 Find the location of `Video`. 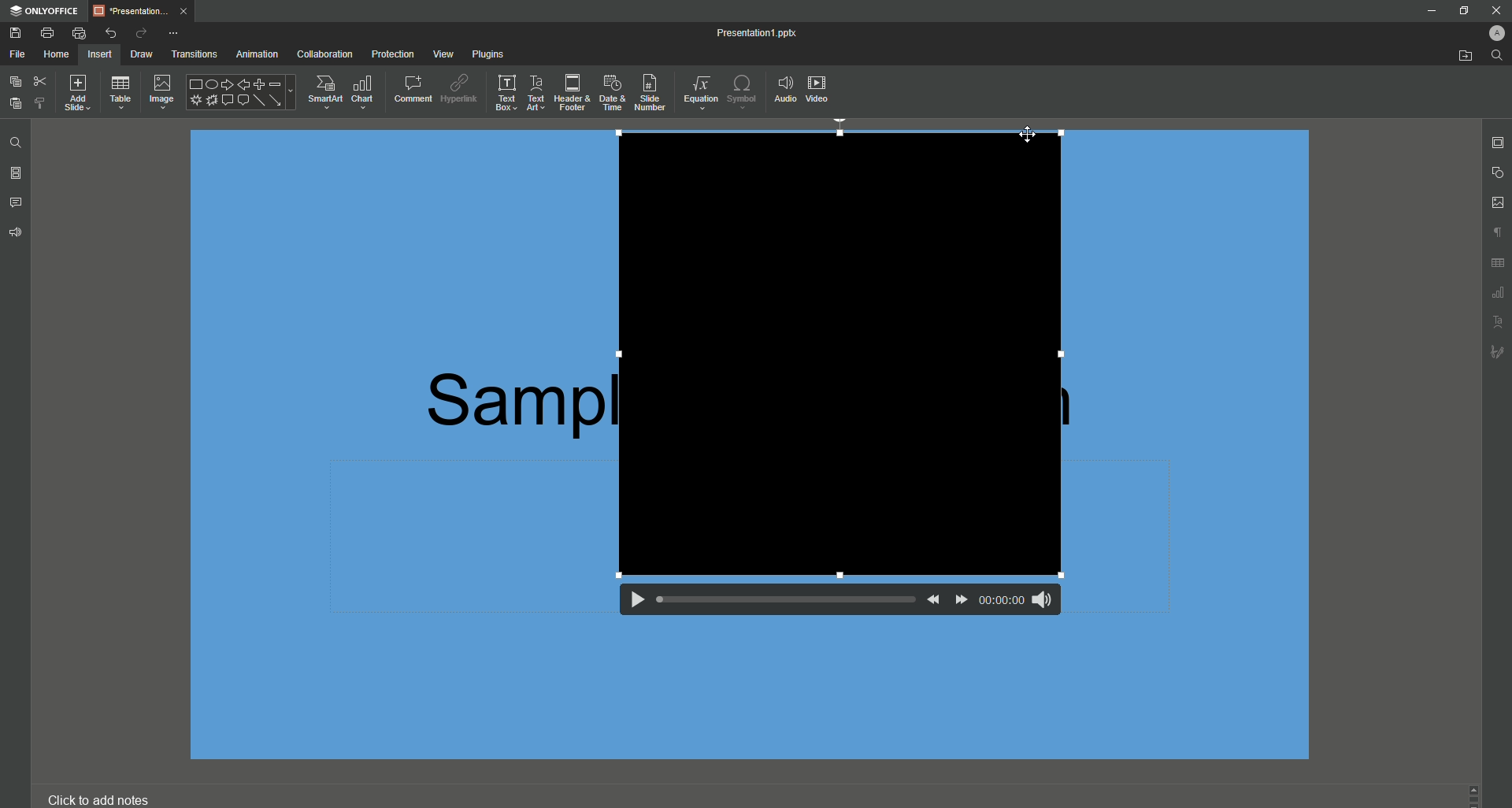

Video is located at coordinates (819, 89).